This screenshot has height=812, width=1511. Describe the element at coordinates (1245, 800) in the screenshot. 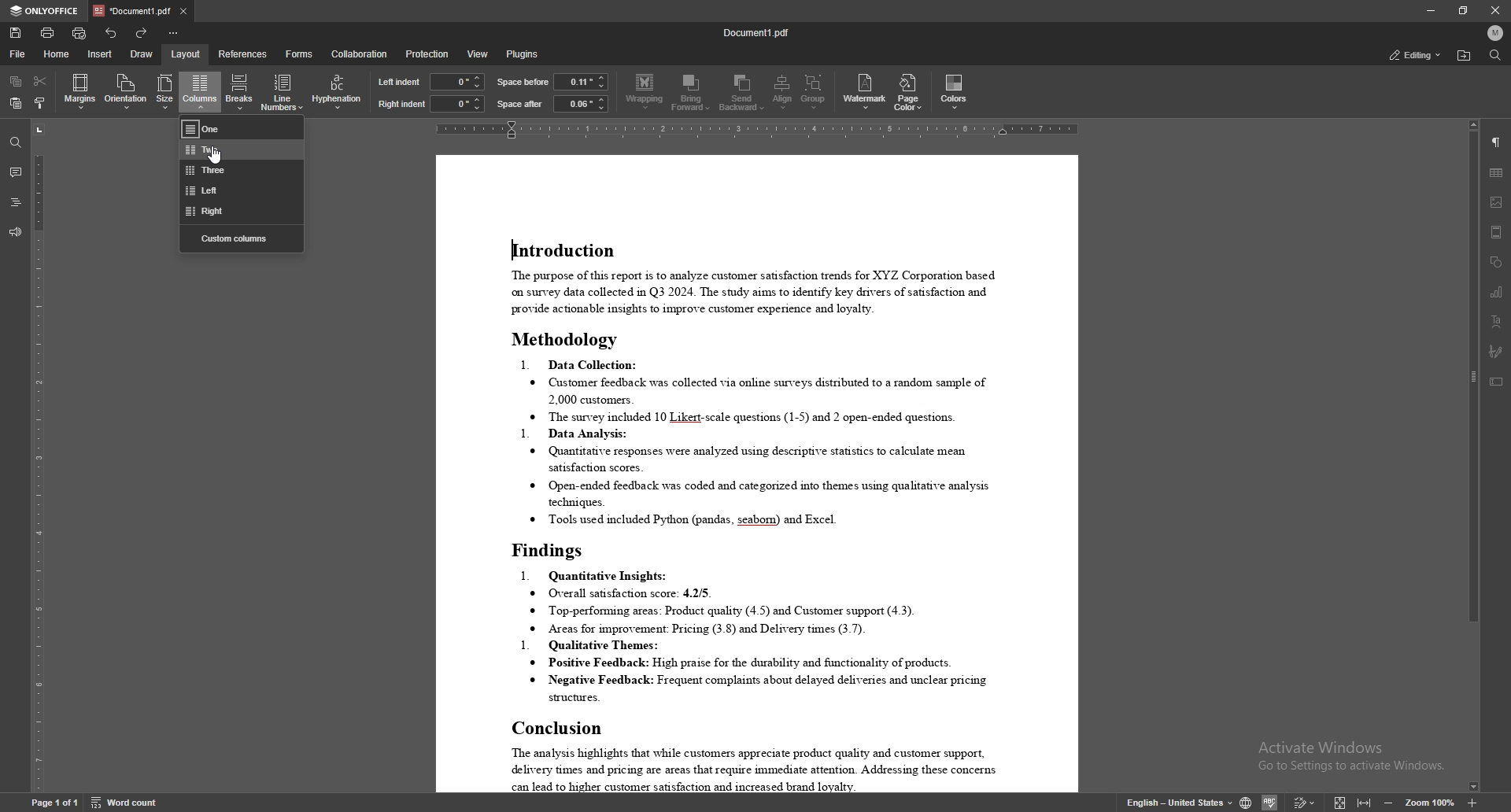

I see `change doc language` at that location.